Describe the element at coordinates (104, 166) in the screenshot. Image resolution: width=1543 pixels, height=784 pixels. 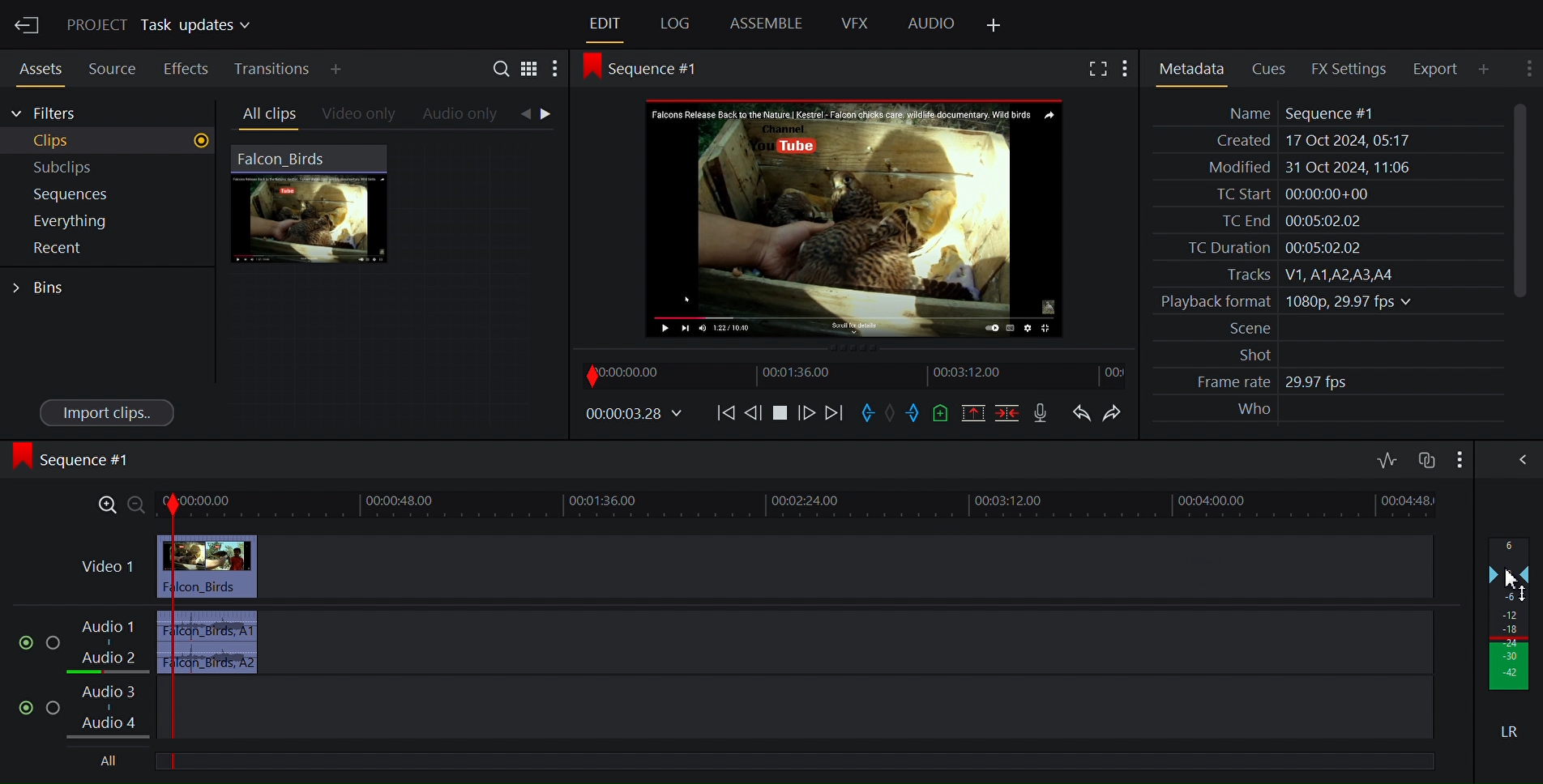
I see `Subclips` at that location.